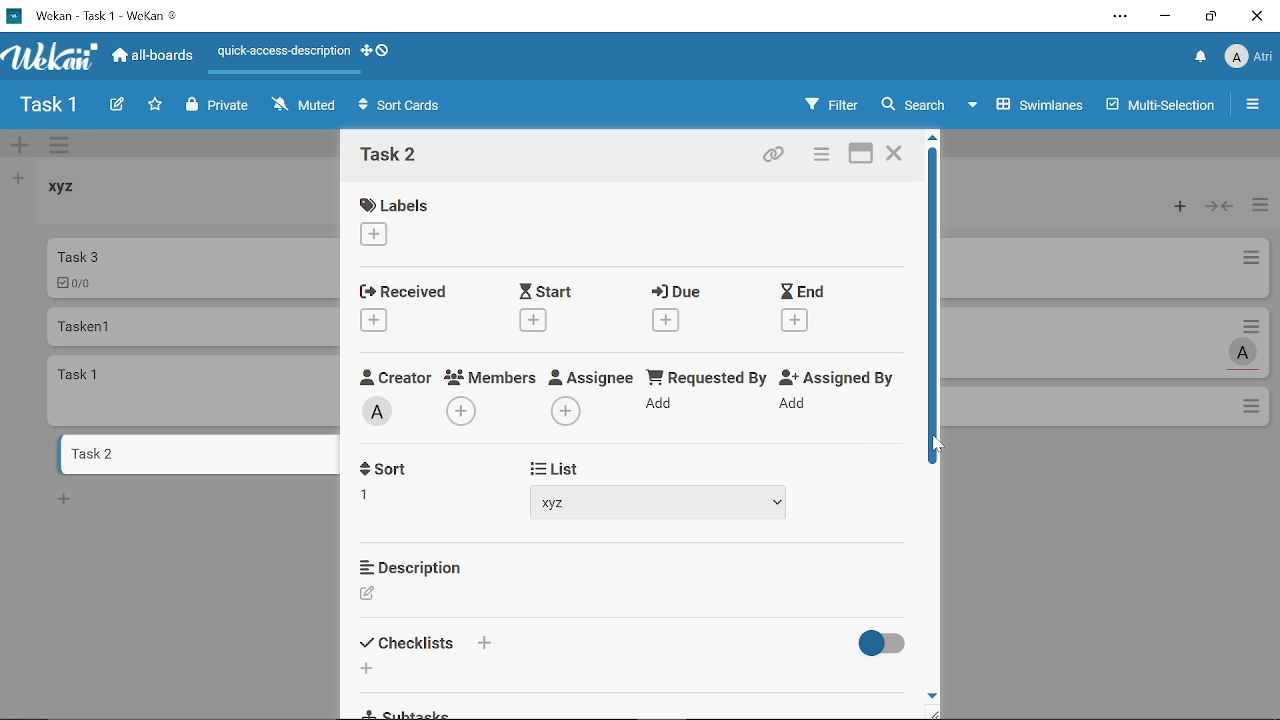 Image resolution: width=1280 pixels, height=720 pixels. What do you see at coordinates (51, 56) in the screenshot?
I see `App logo` at bounding box center [51, 56].